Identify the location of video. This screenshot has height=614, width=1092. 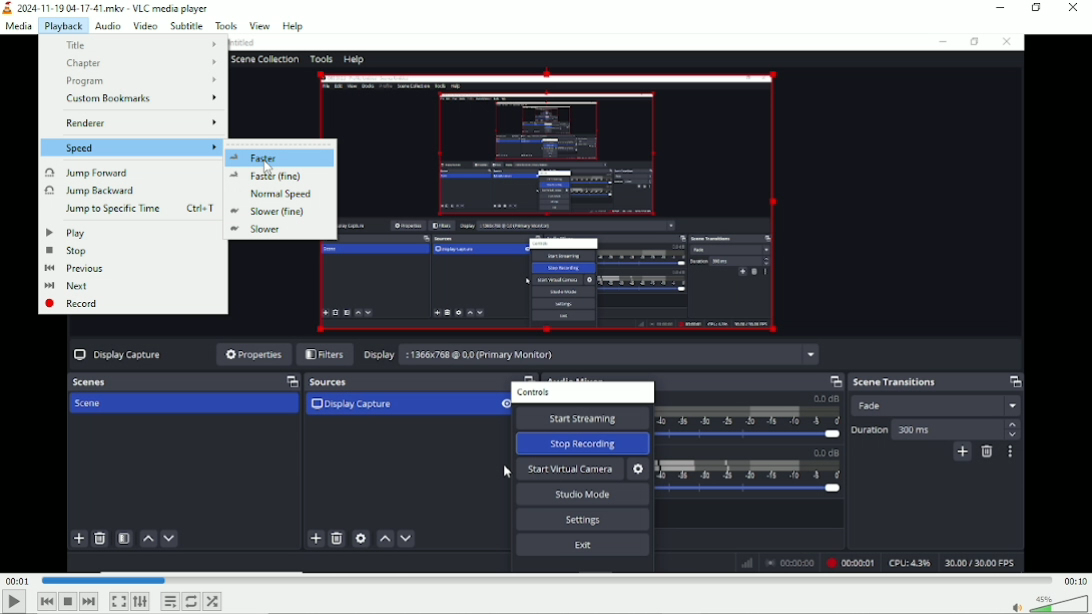
(144, 25).